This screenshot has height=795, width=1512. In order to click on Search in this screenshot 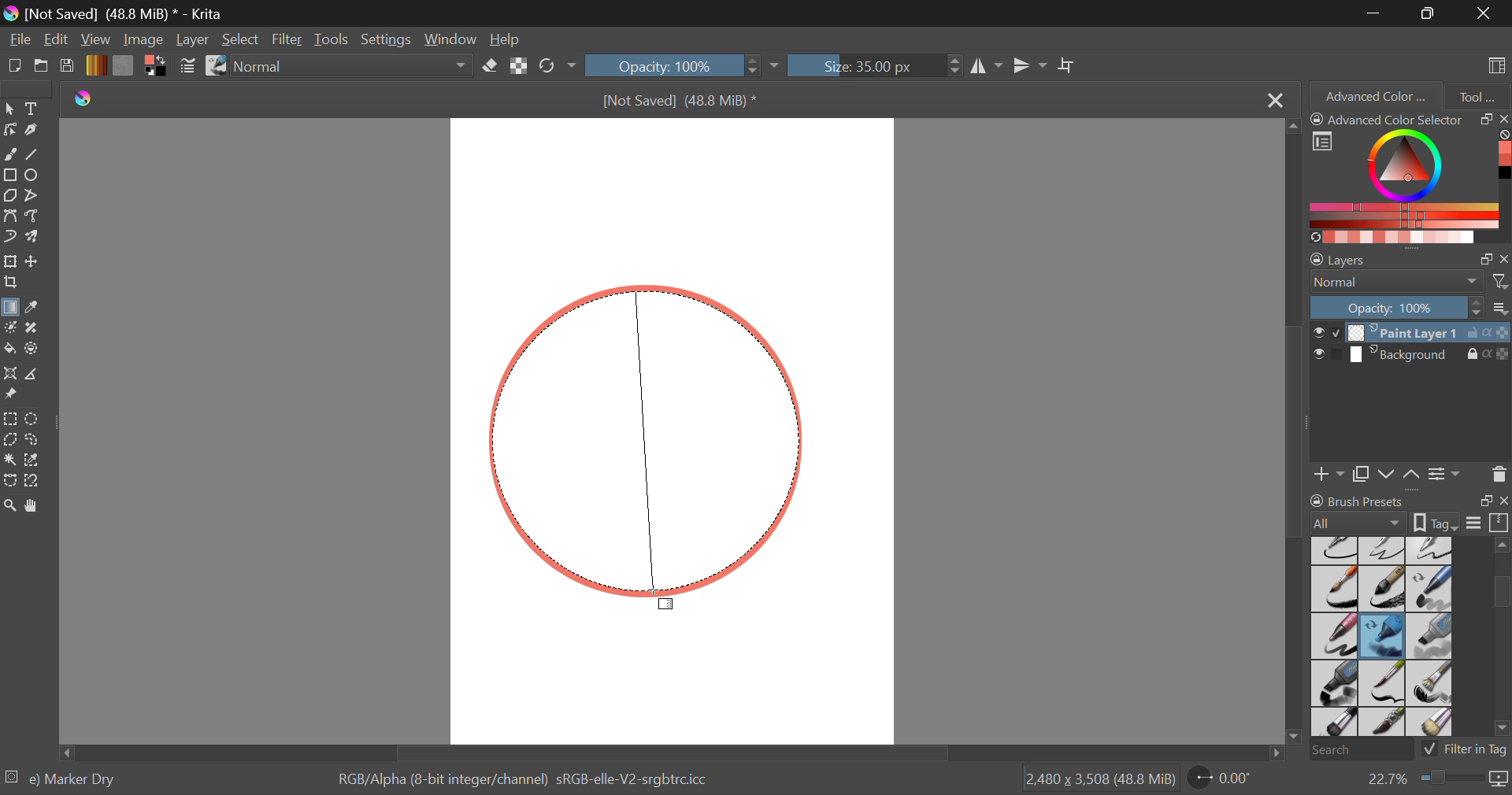, I will do `click(1357, 751)`.